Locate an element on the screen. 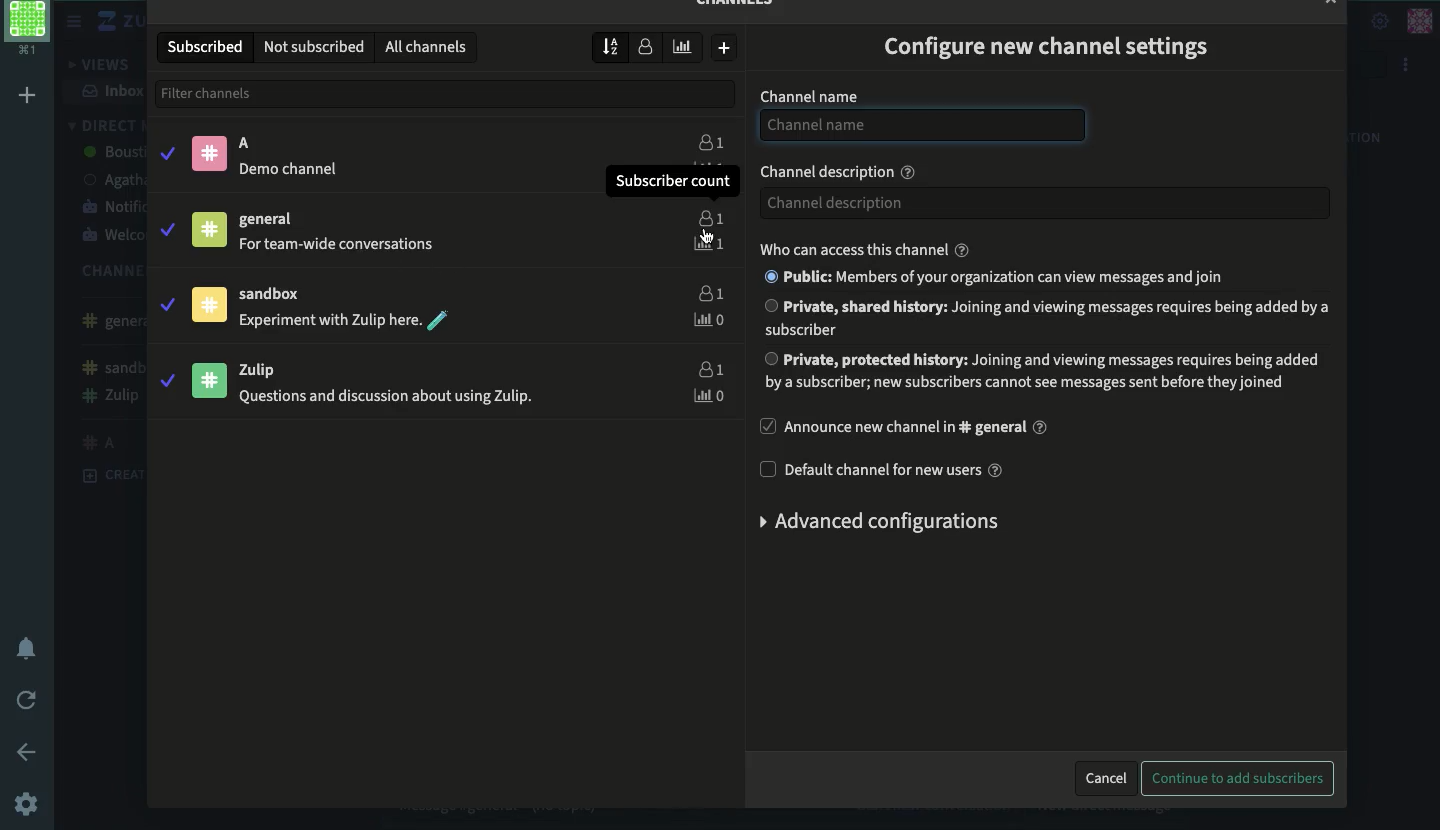 The image size is (1440, 830). not subscribed is located at coordinates (317, 47).